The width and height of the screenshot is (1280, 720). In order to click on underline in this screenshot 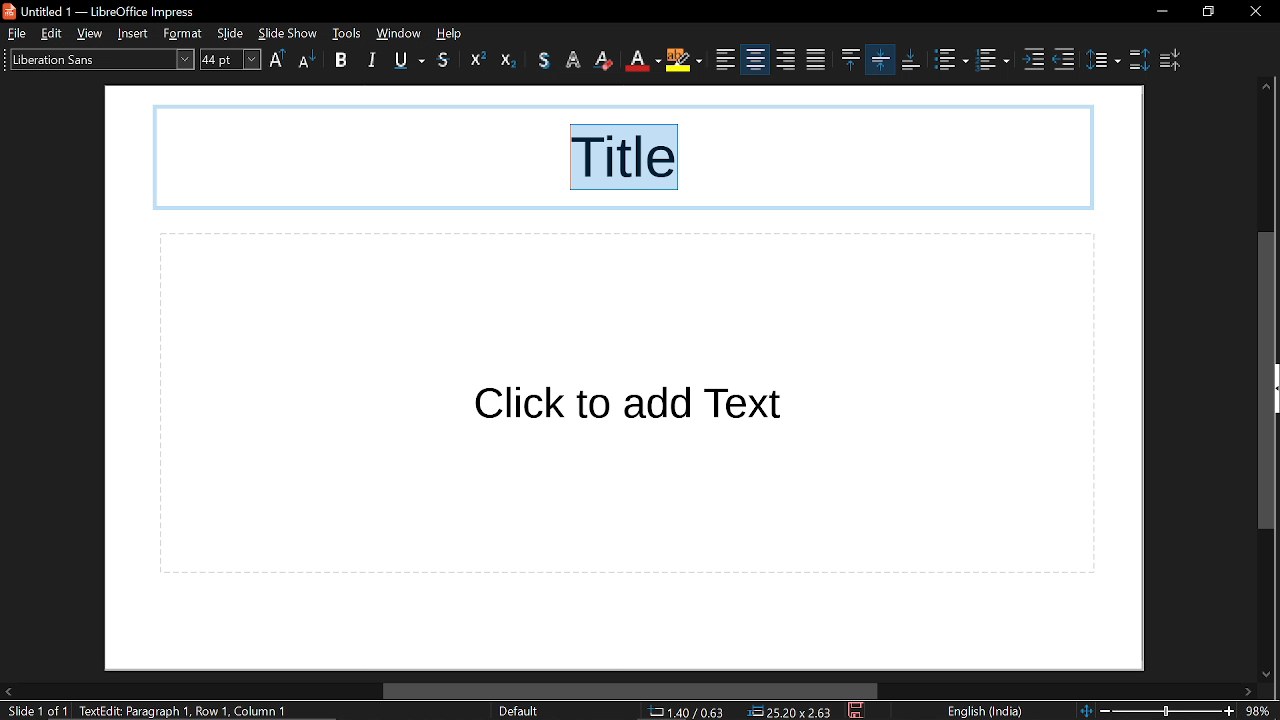, I will do `click(409, 60)`.